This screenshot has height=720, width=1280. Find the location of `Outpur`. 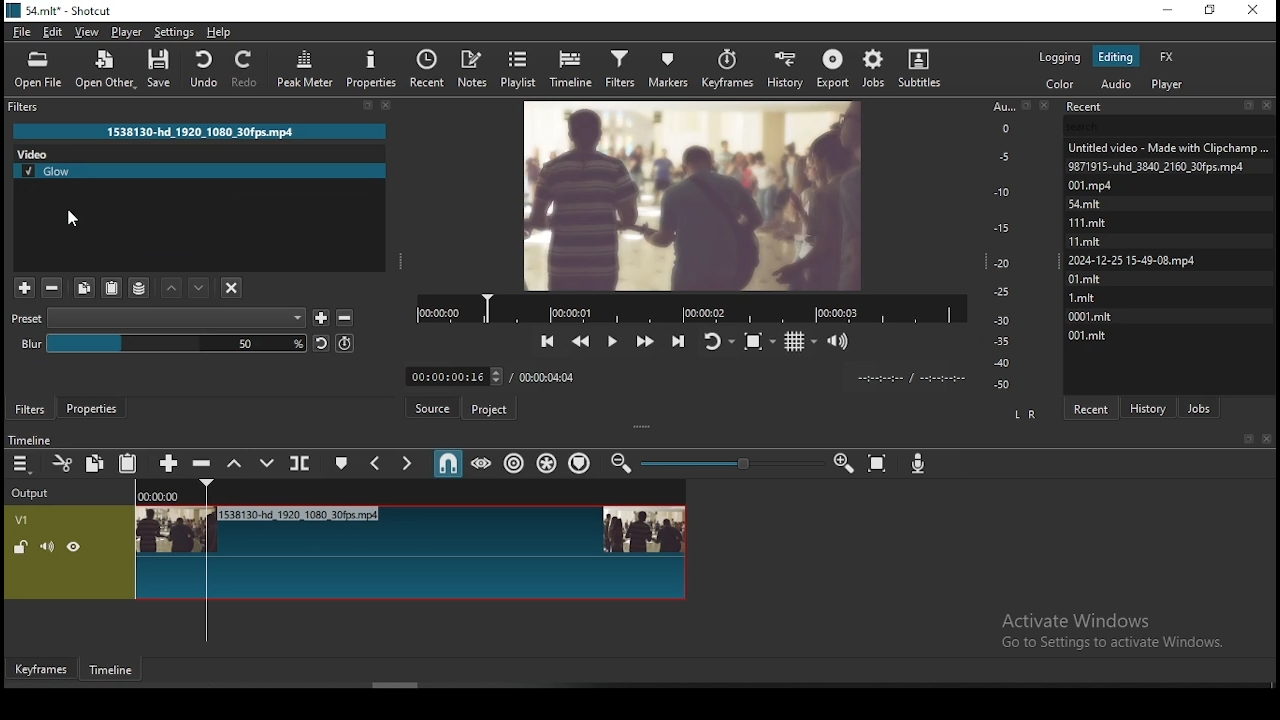

Outpur is located at coordinates (35, 493).